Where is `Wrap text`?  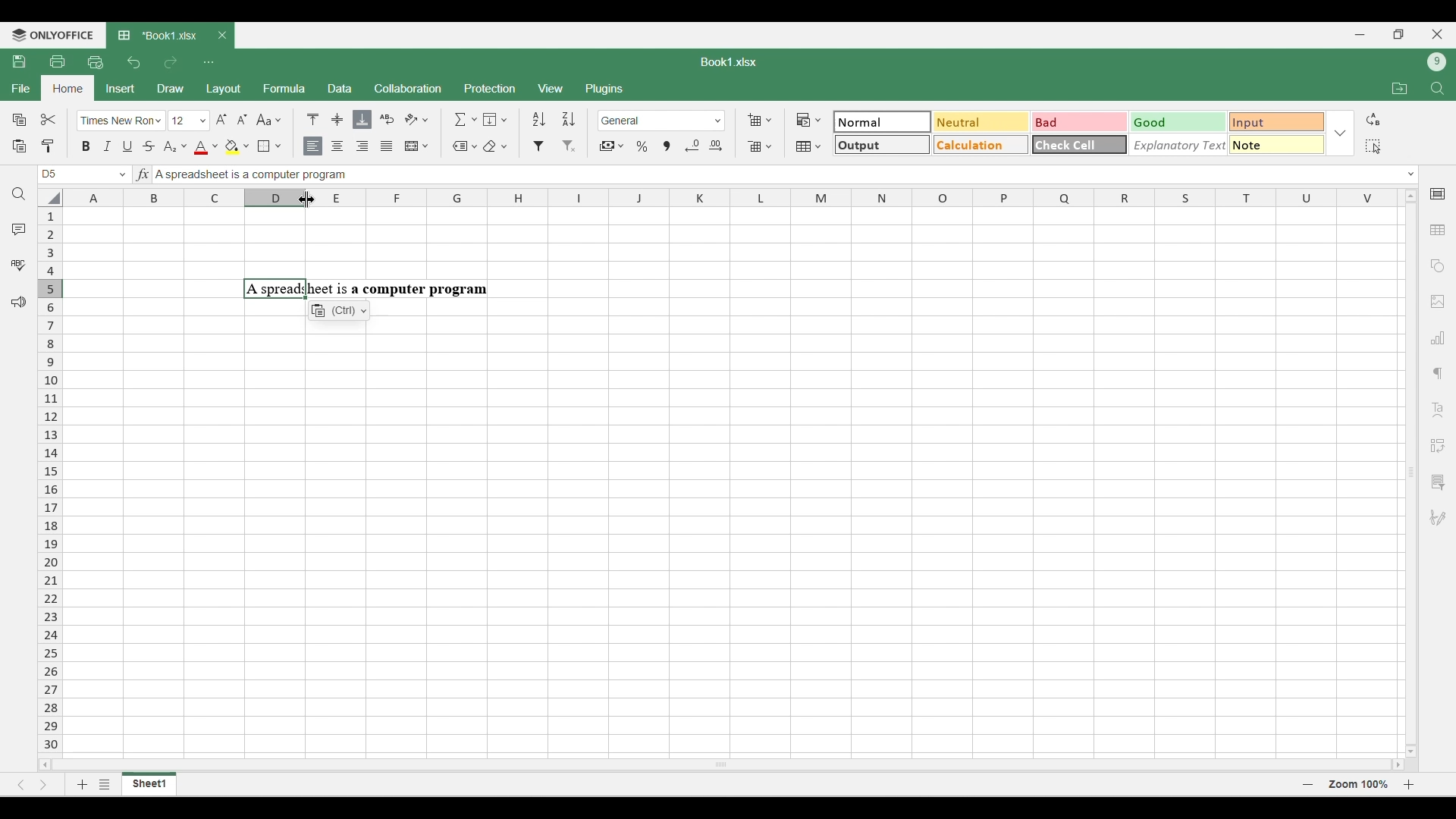
Wrap text is located at coordinates (388, 119).